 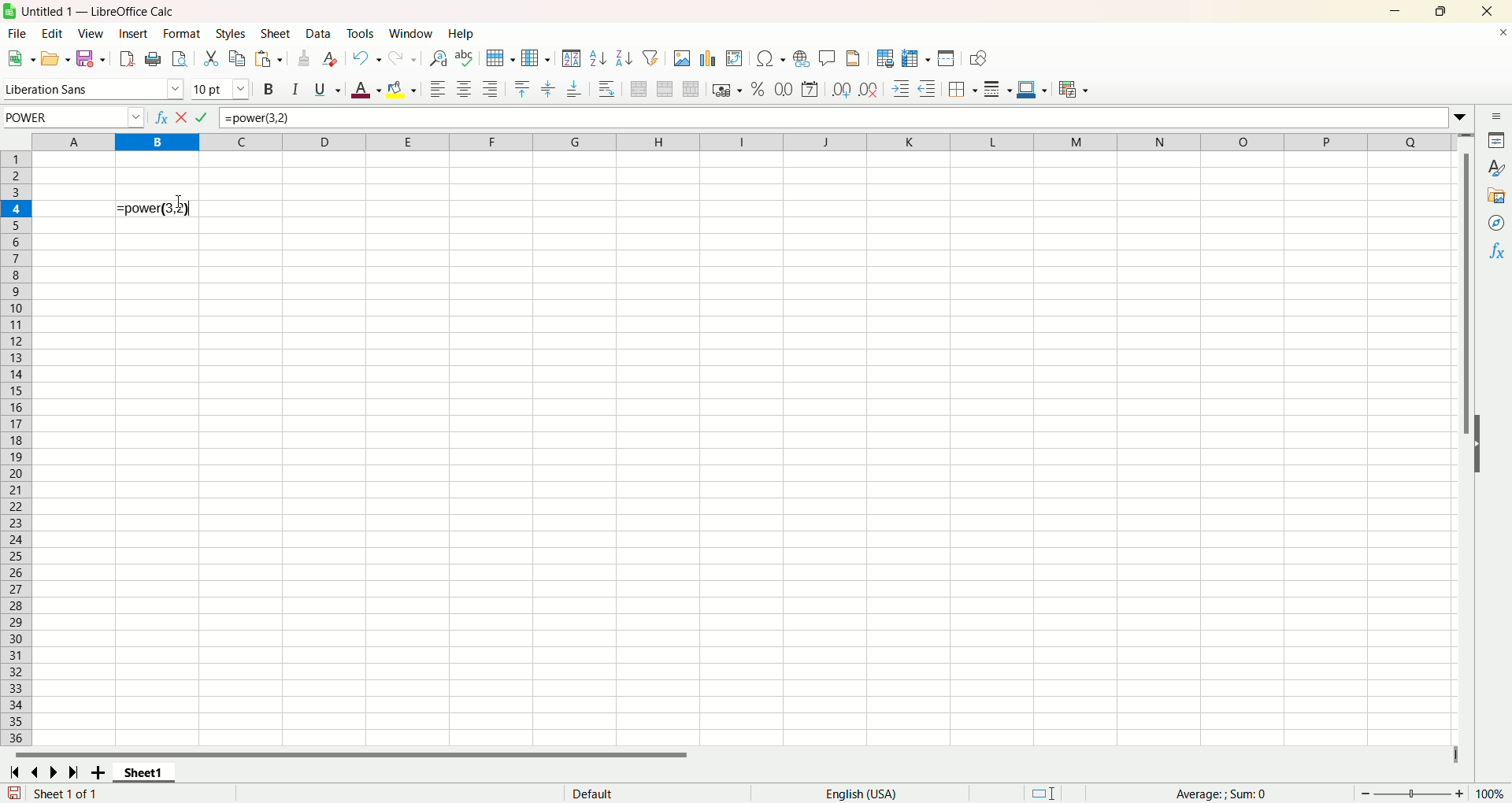 I want to click on align bottom, so click(x=576, y=92).